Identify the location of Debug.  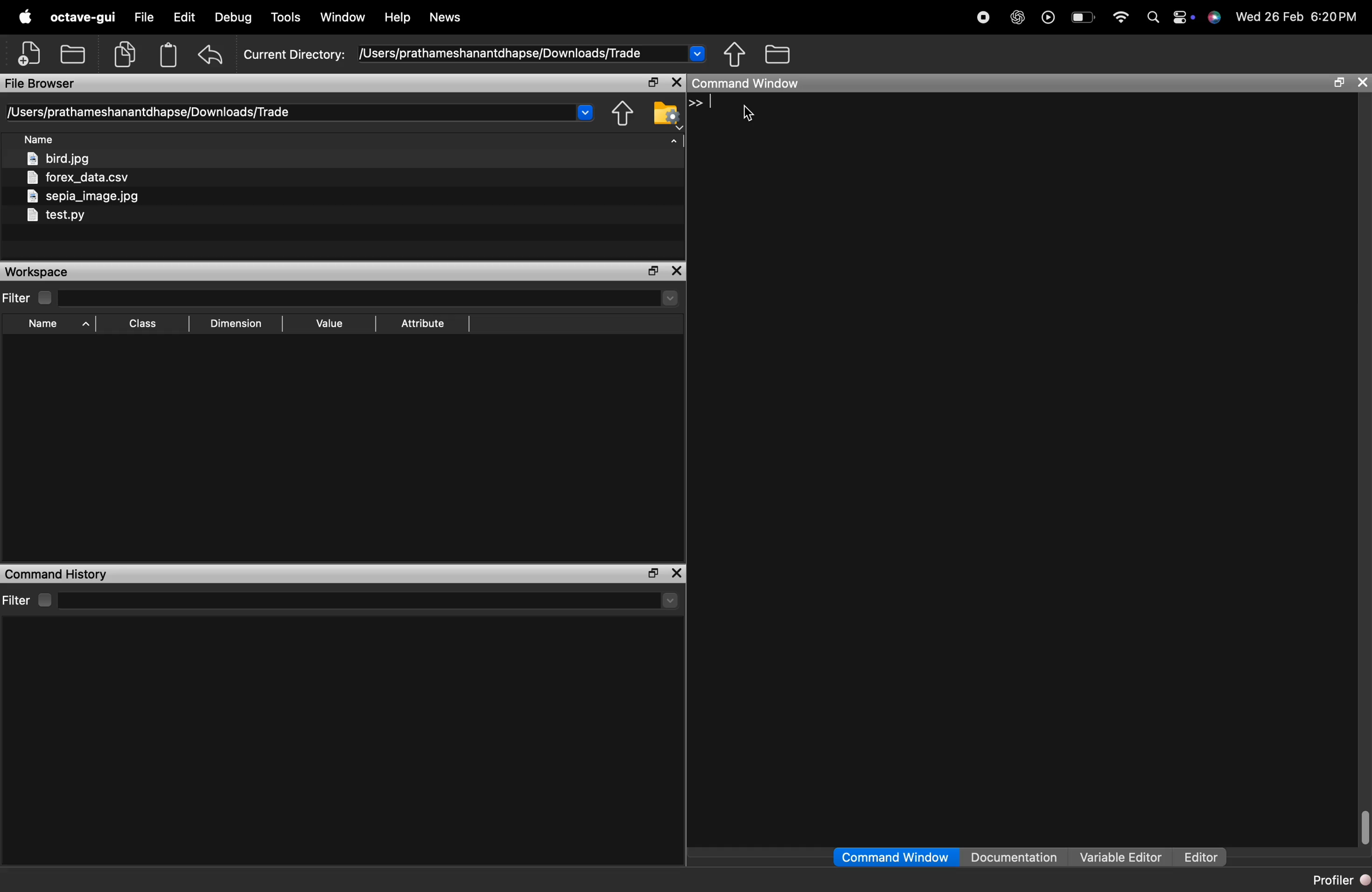
(233, 17).